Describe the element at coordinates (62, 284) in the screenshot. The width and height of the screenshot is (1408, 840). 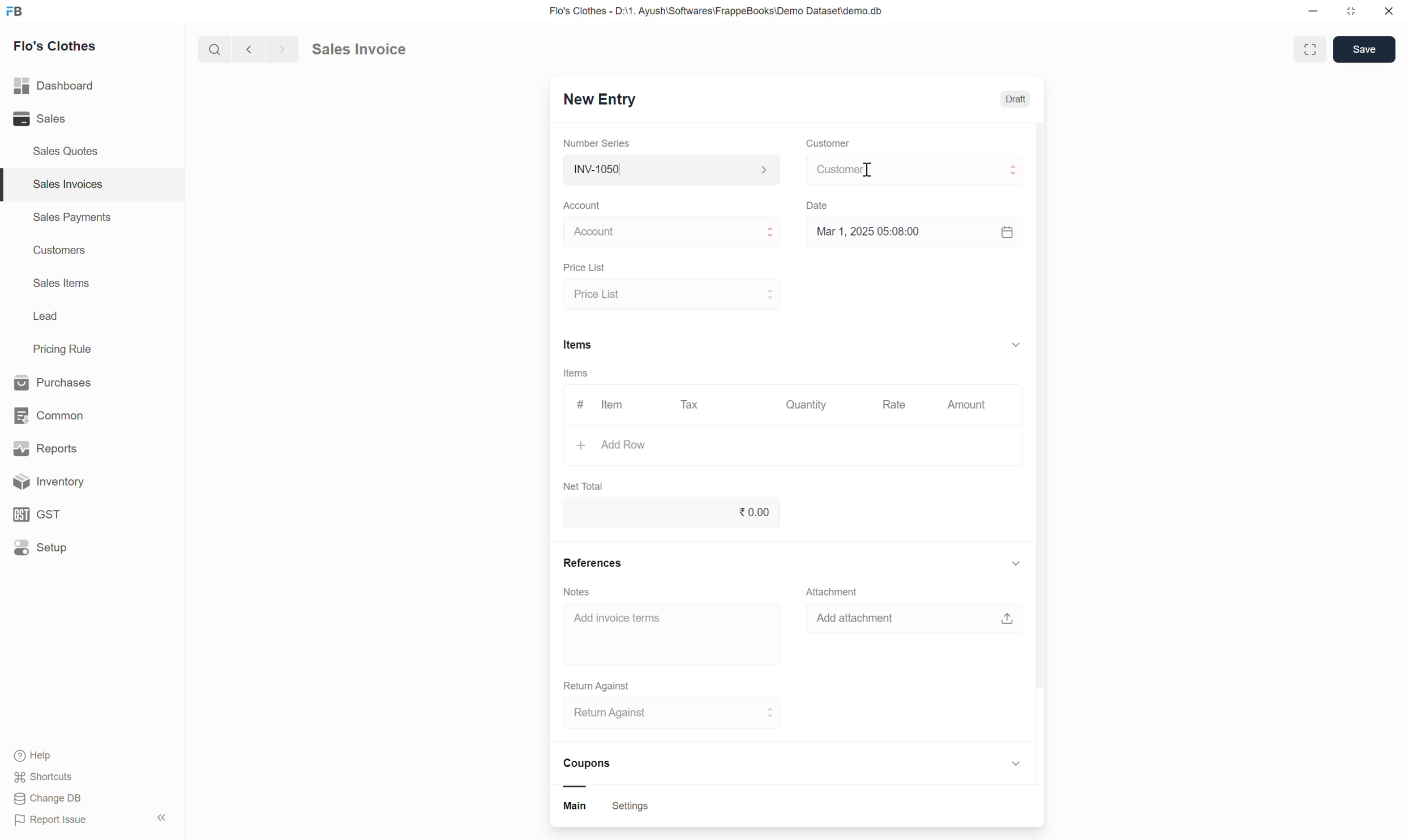
I see `Sales Items` at that location.